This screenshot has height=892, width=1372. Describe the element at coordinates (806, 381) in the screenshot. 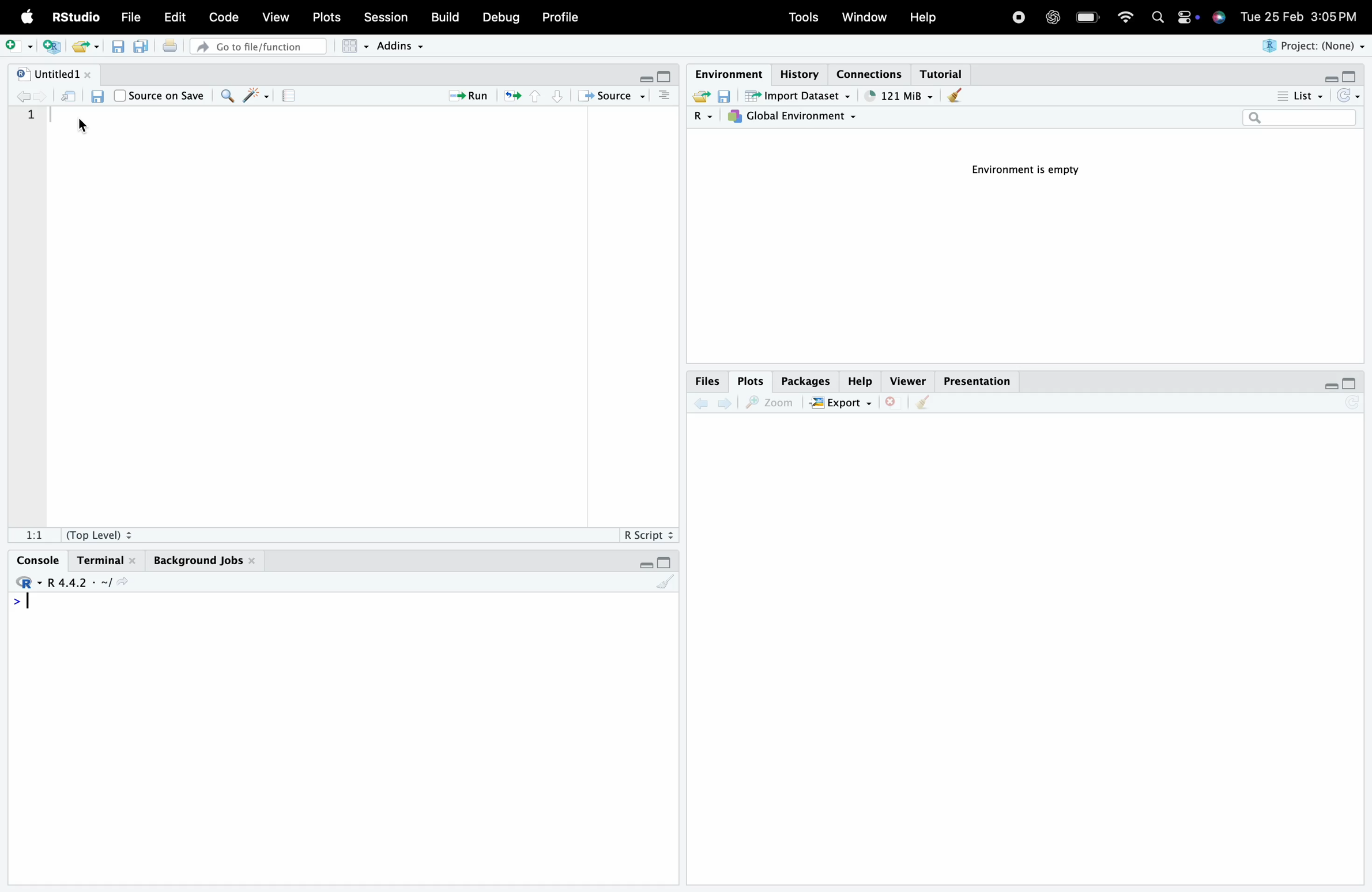

I see `Packages` at that location.